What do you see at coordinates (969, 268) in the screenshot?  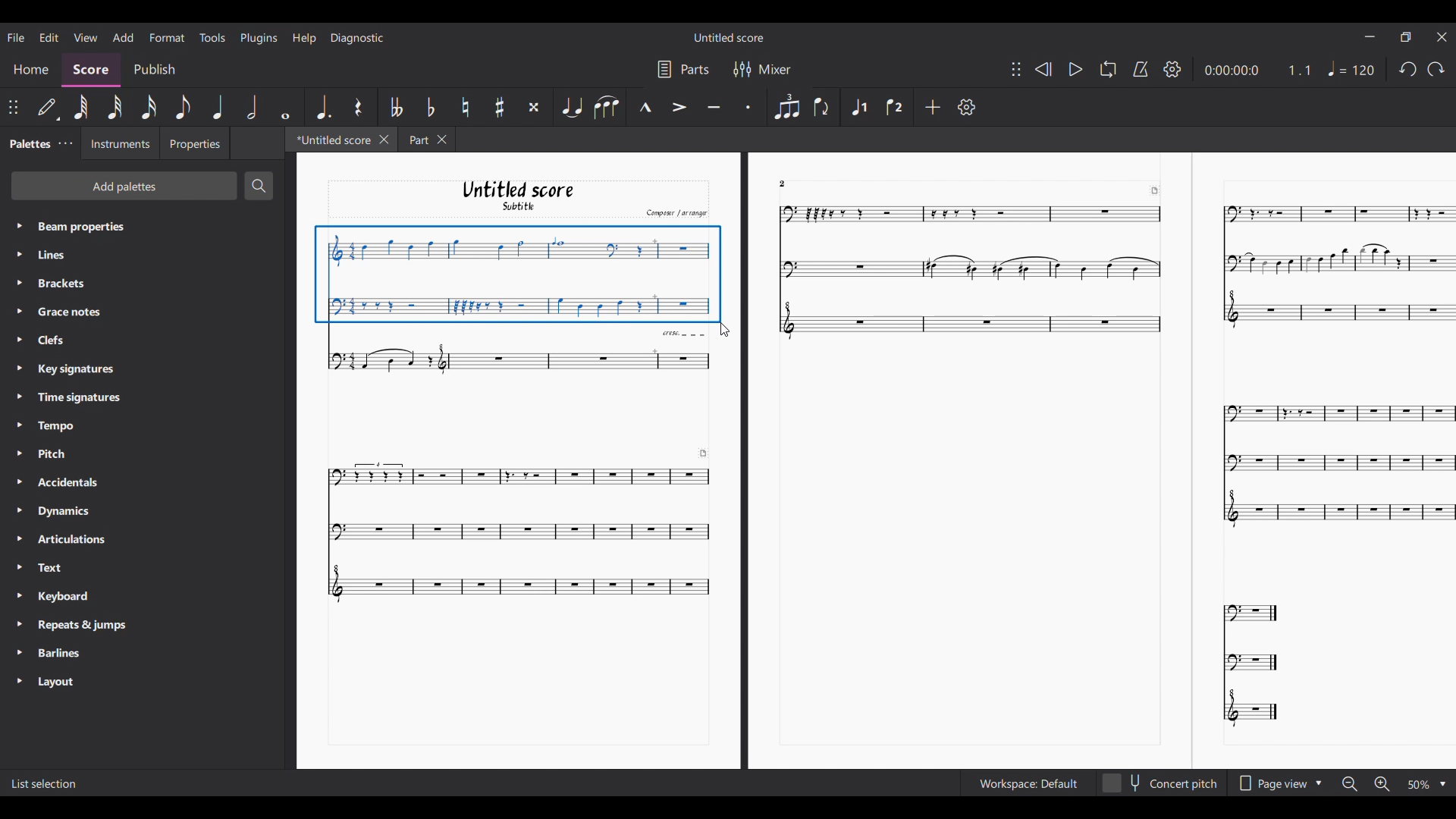 I see `` at bounding box center [969, 268].